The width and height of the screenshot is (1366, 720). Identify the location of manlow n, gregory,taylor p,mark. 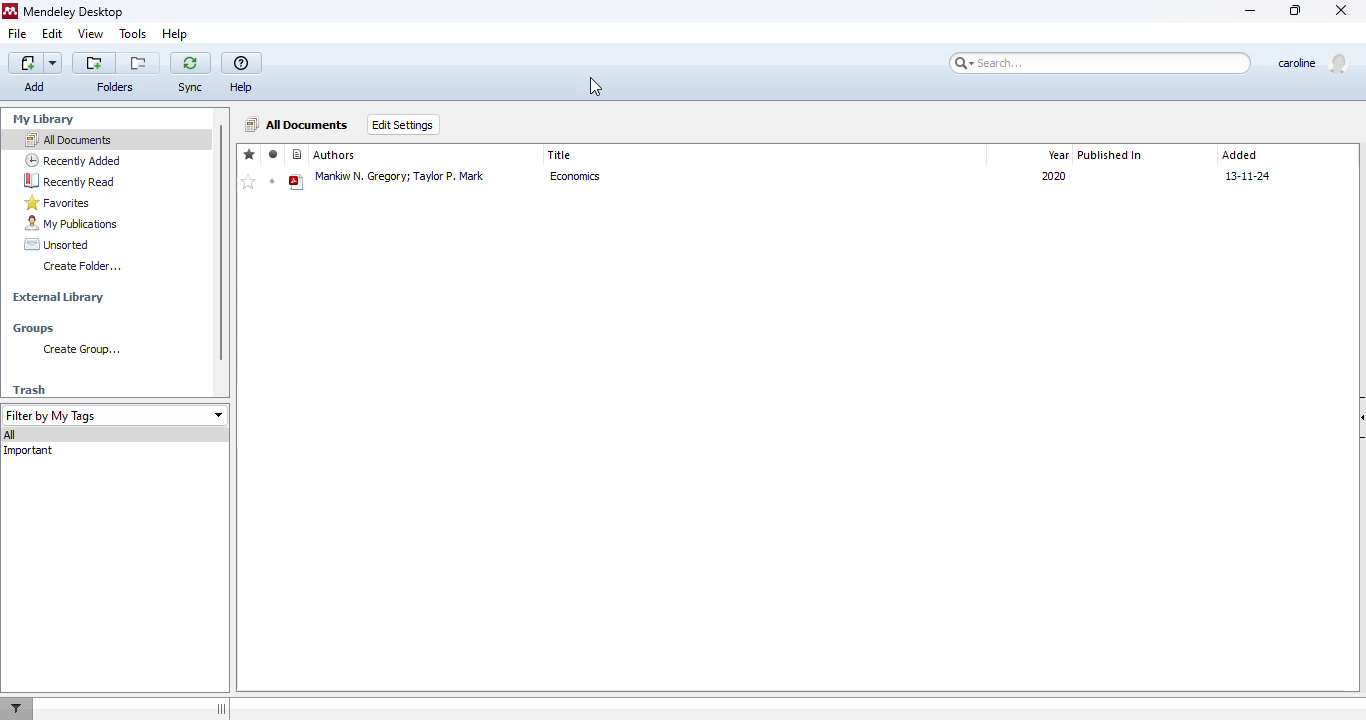
(401, 181).